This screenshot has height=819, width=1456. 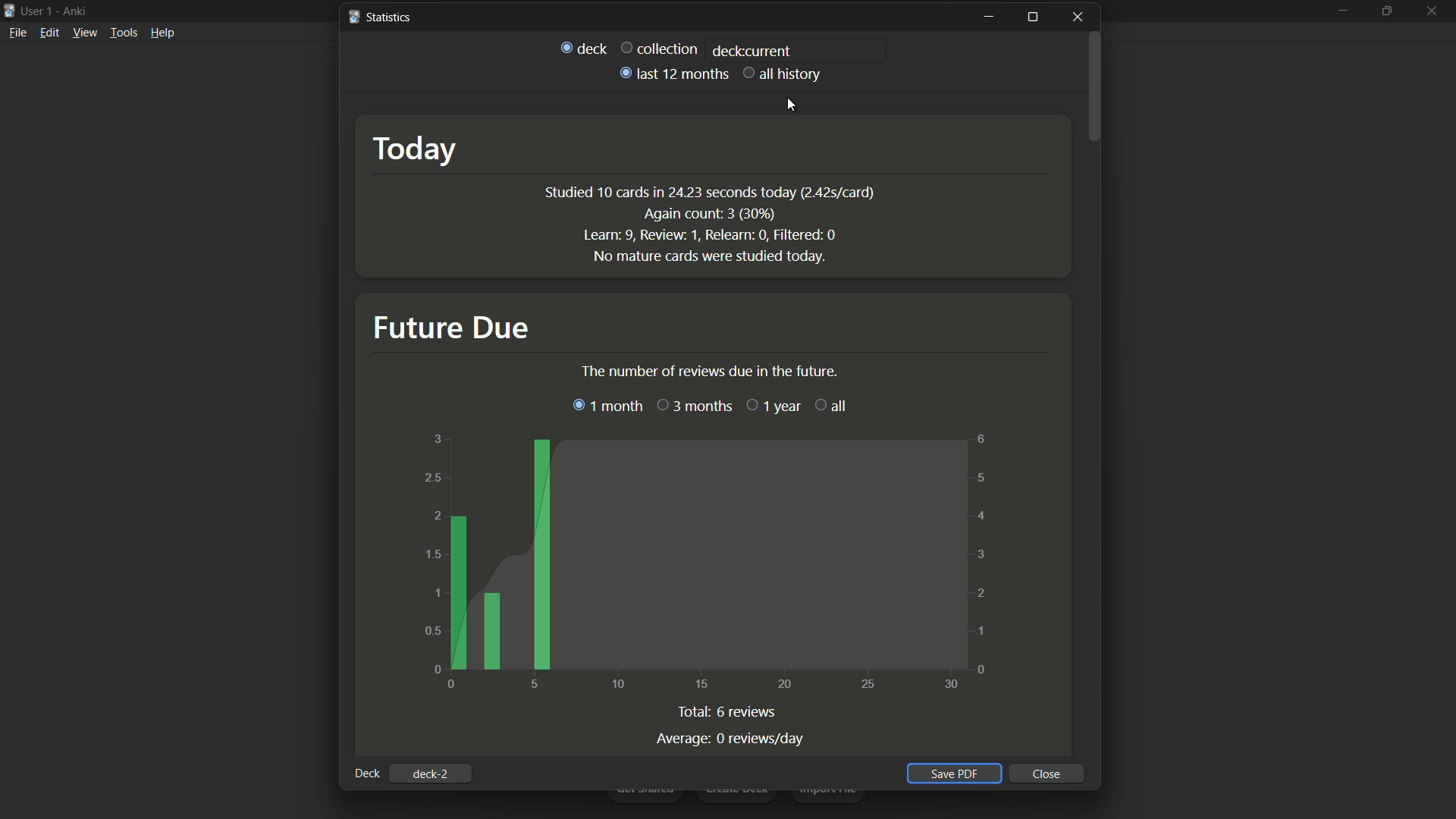 What do you see at coordinates (783, 74) in the screenshot?
I see `All history` at bounding box center [783, 74].